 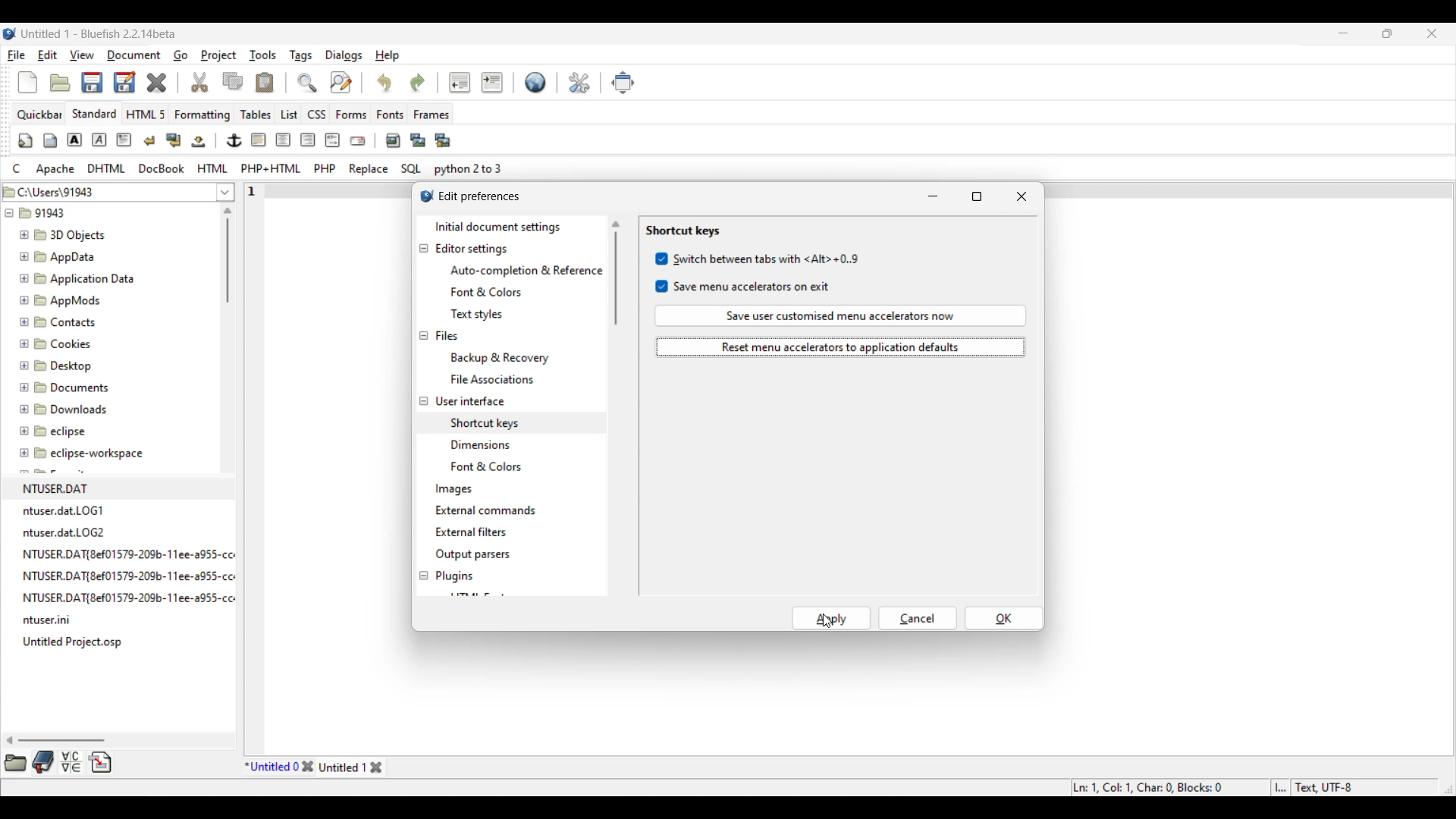 I want to click on Save user customized menu accelerators now, so click(x=841, y=315).